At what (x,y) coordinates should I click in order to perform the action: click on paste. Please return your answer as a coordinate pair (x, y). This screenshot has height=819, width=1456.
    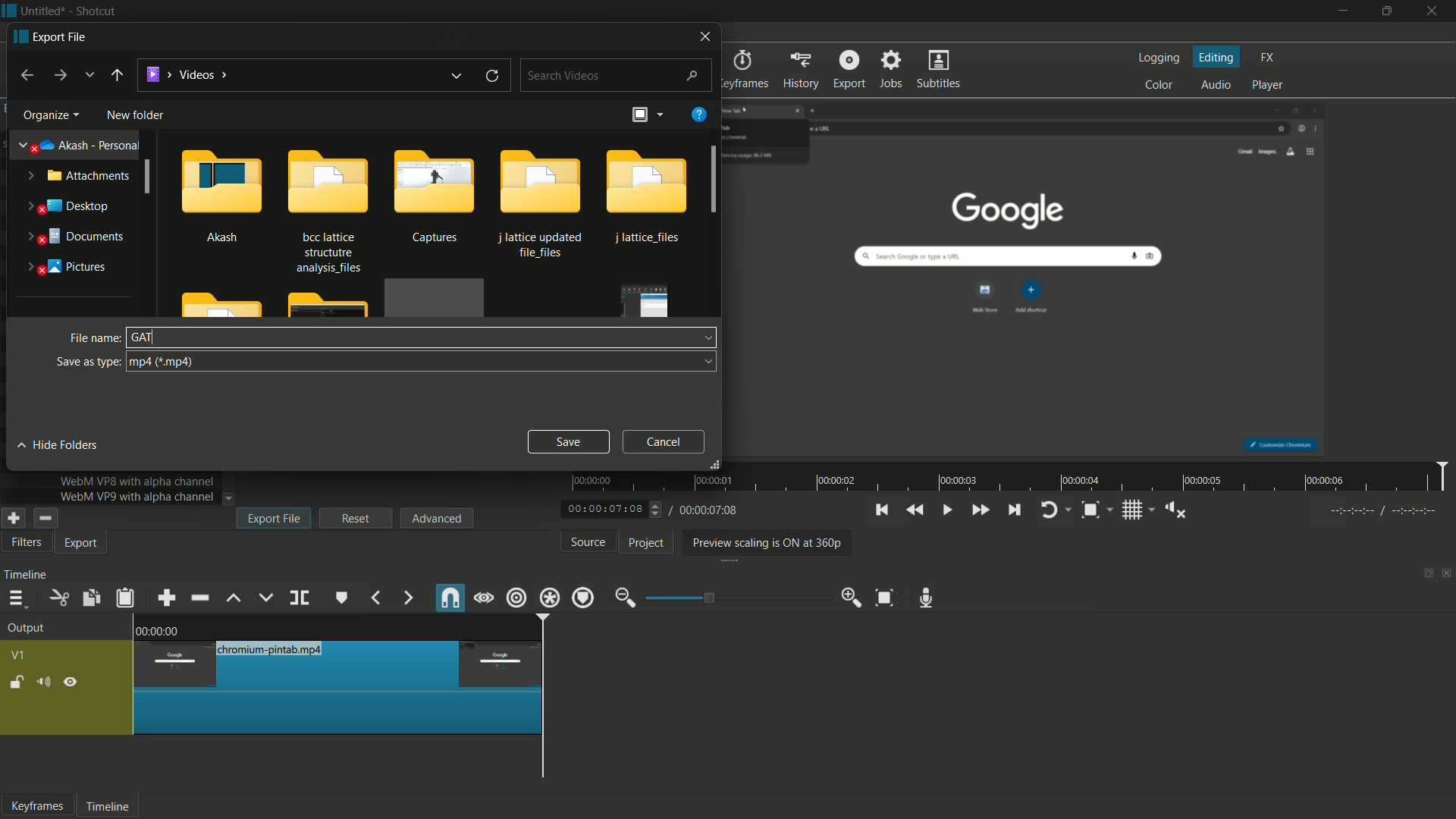
    Looking at the image, I should click on (128, 598).